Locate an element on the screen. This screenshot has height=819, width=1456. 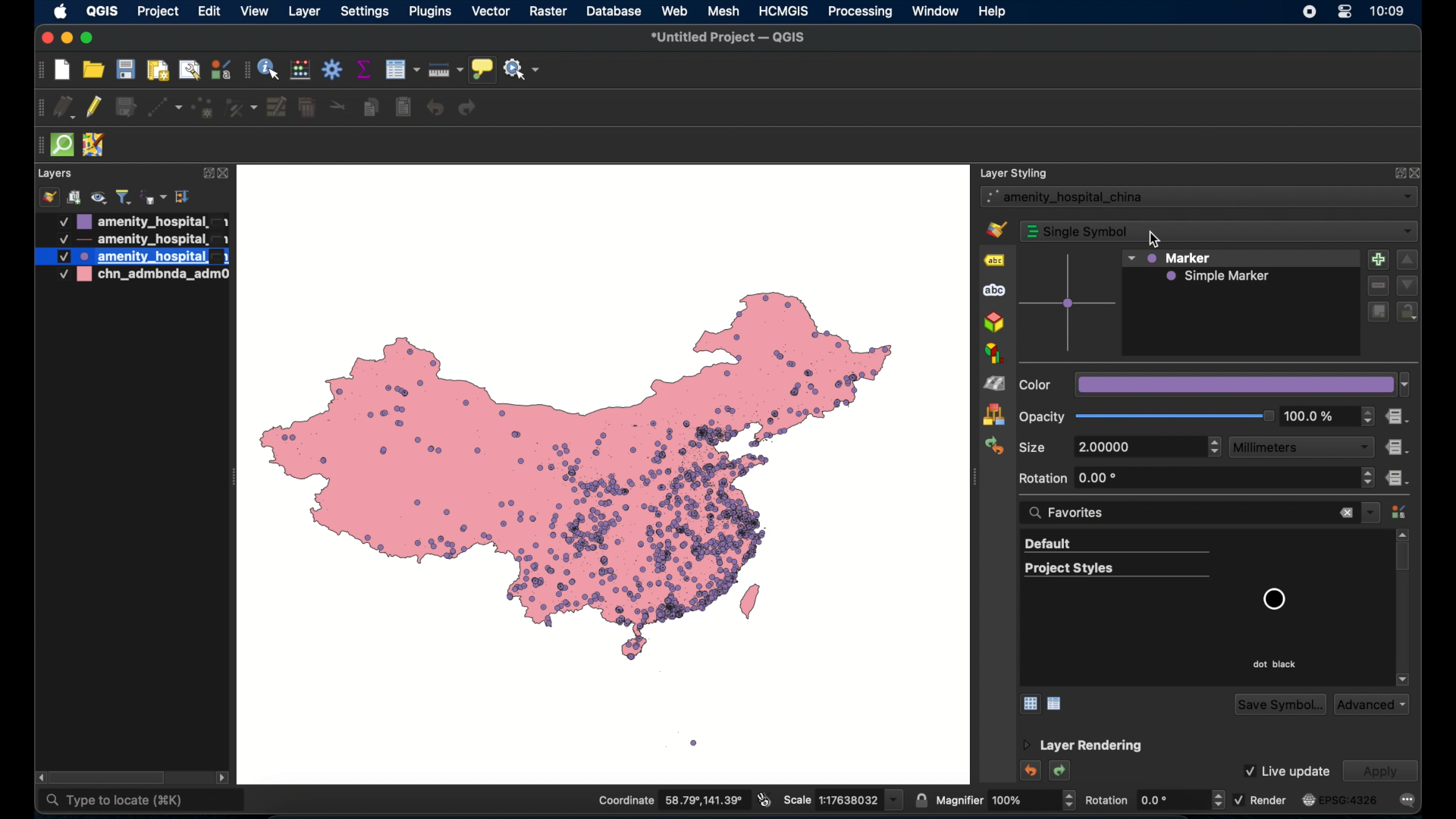
close is located at coordinates (1416, 171).